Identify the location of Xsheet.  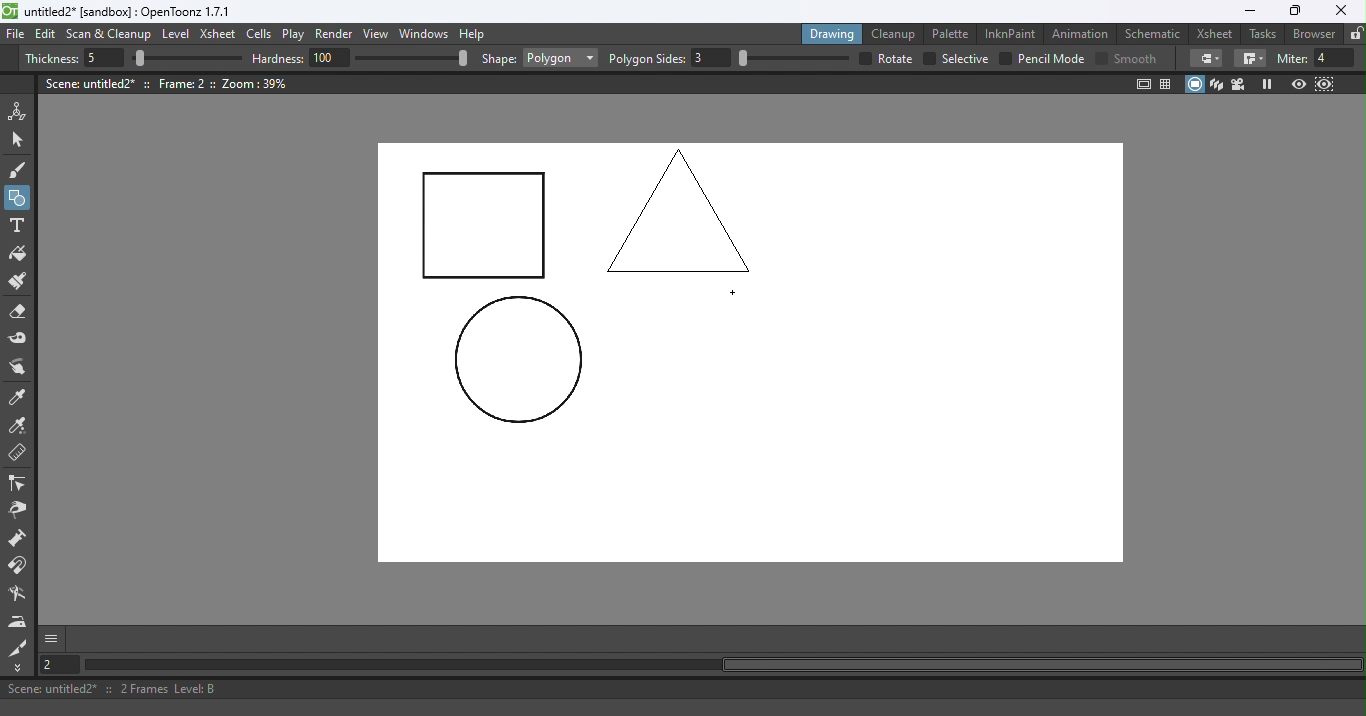
(220, 36).